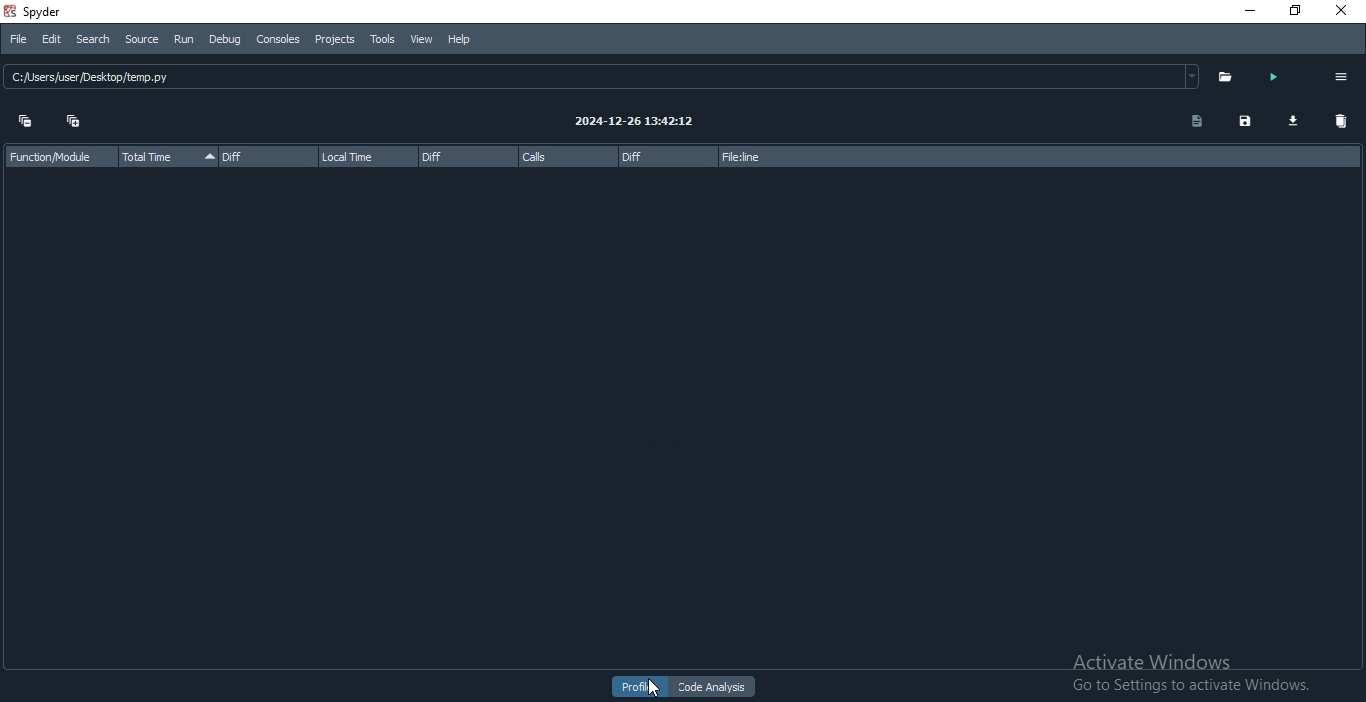  Describe the element at coordinates (1349, 14) in the screenshot. I see `close` at that location.